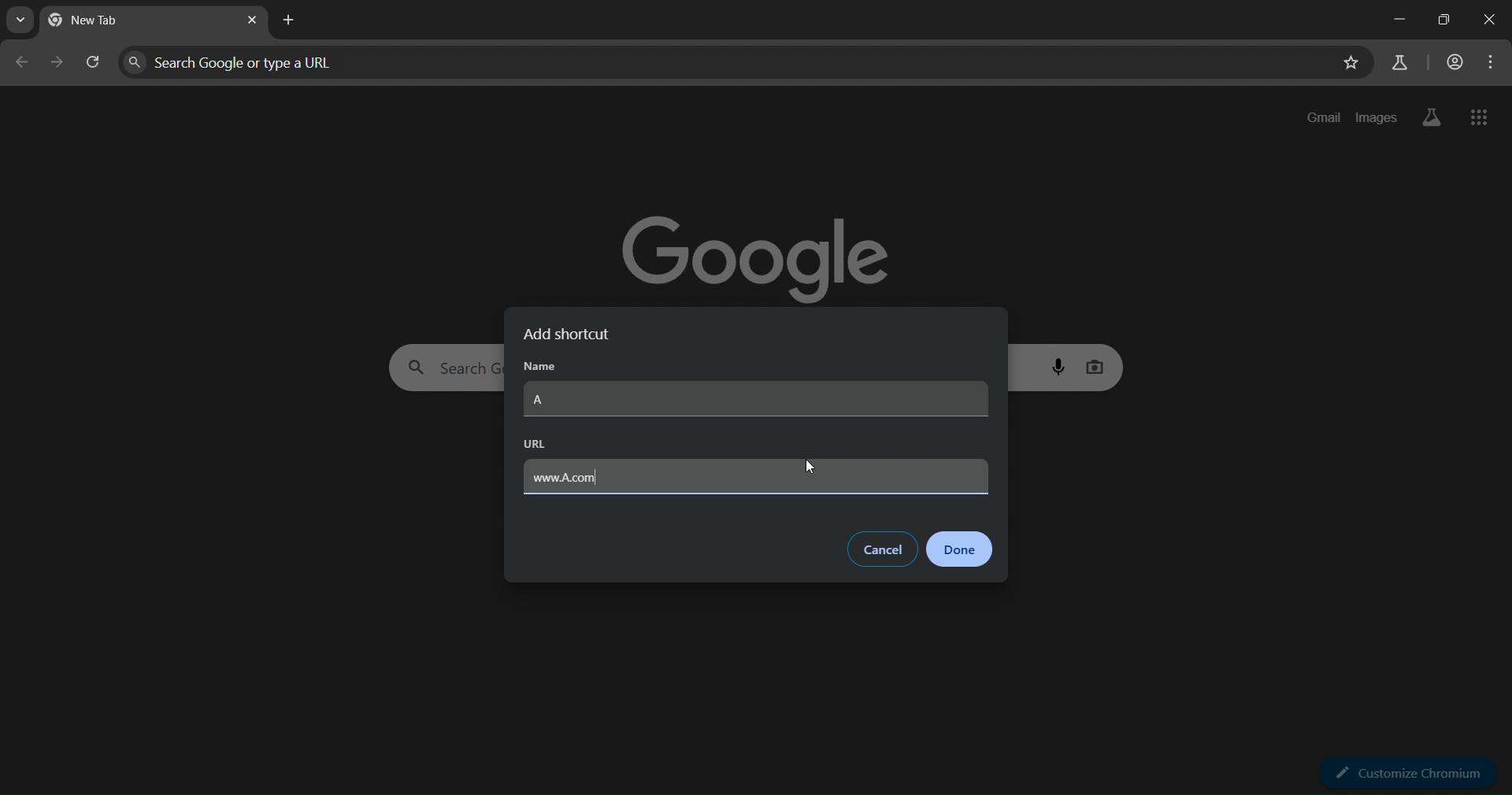 Image resolution: width=1512 pixels, height=795 pixels. Describe the element at coordinates (539, 368) in the screenshot. I see `name` at that location.